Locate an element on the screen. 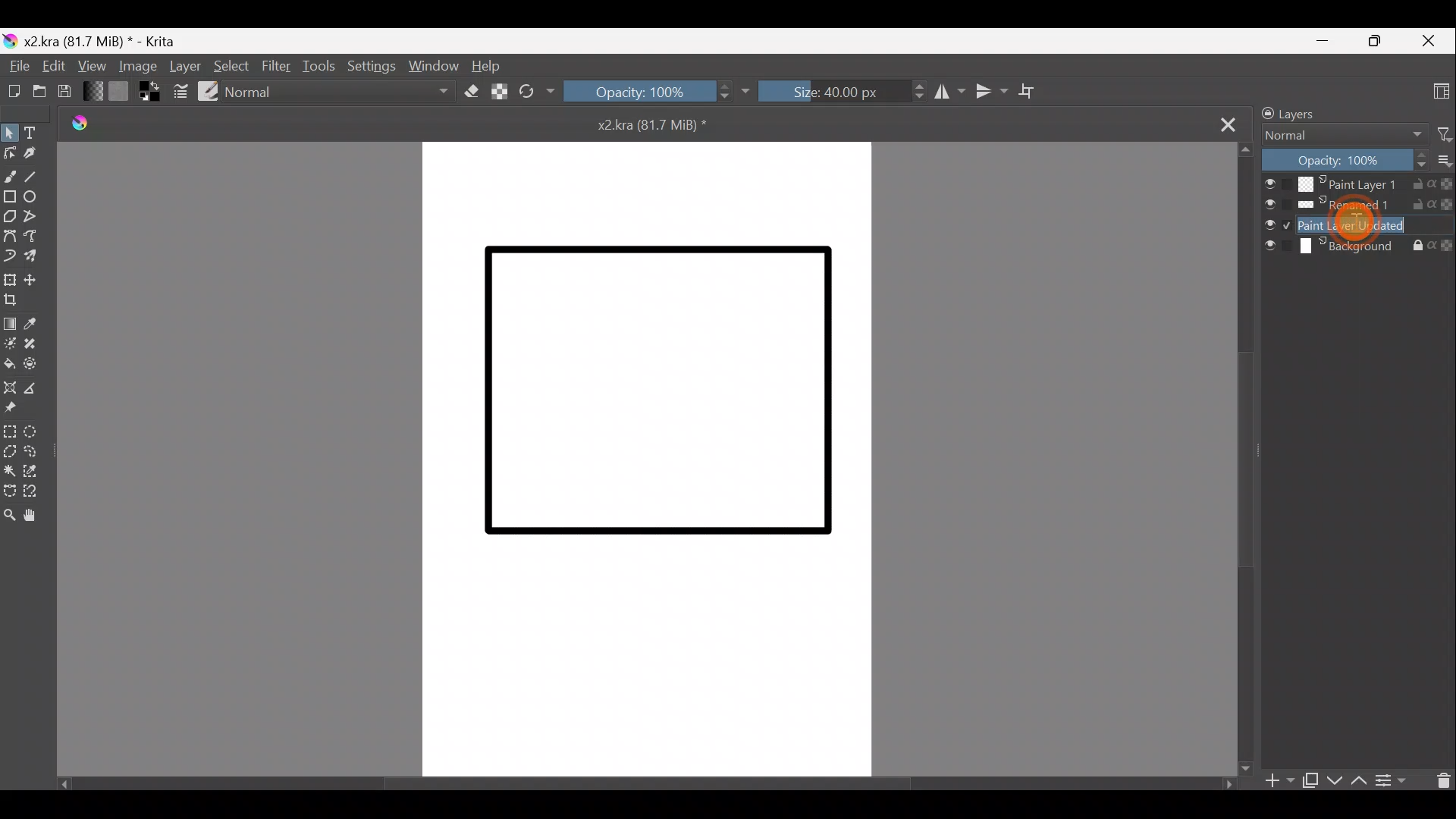 The width and height of the screenshot is (1456, 819). Rectangular selection tool is located at coordinates (10, 431).